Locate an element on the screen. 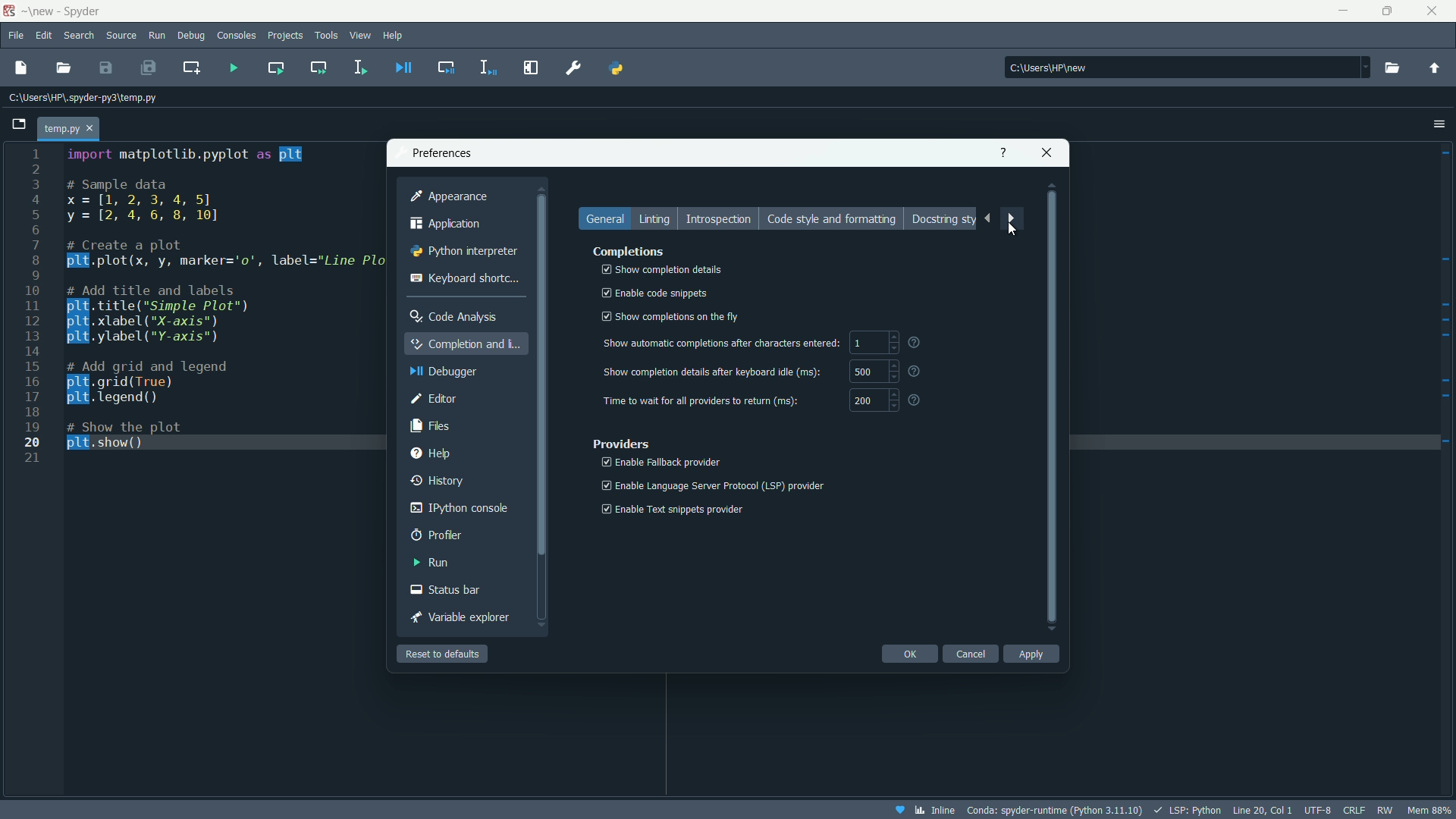 The width and height of the screenshot is (1456, 819). forward is located at coordinates (1013, 220).